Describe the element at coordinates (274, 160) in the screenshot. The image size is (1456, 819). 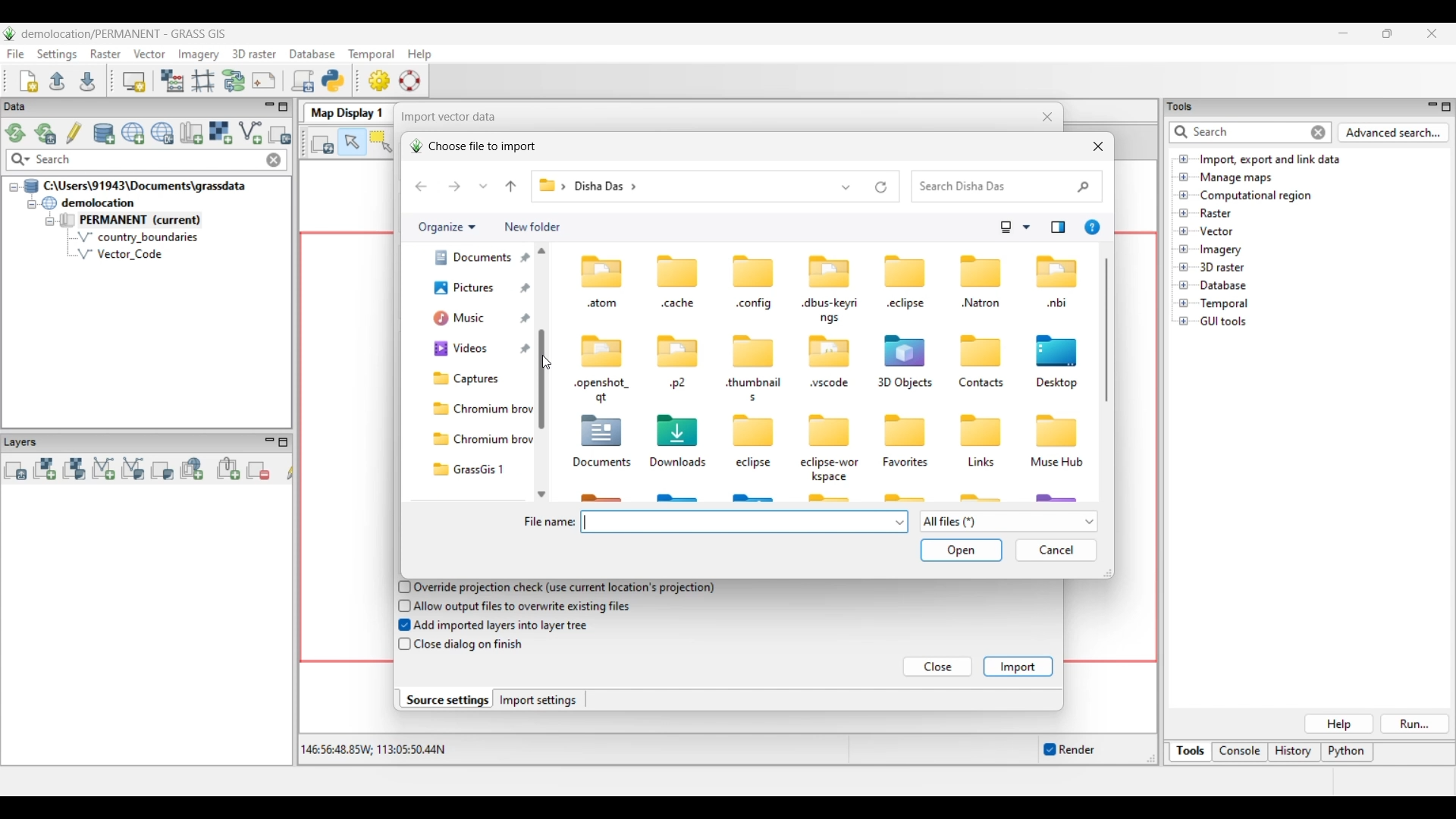
I see `Close input made to quick search` at that location.